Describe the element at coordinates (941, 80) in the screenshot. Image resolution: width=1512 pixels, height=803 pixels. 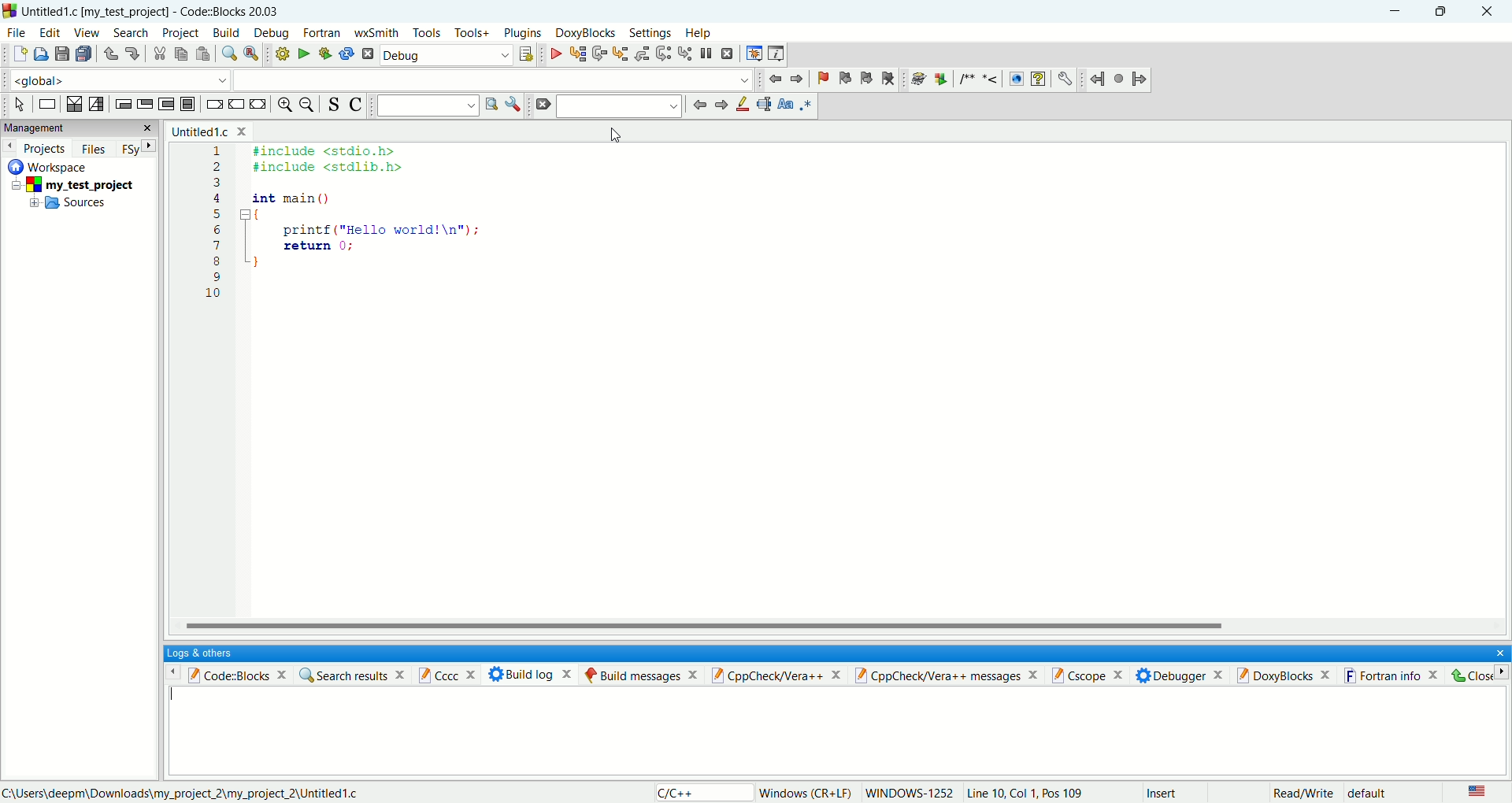
I see `extract documentation` at that location.